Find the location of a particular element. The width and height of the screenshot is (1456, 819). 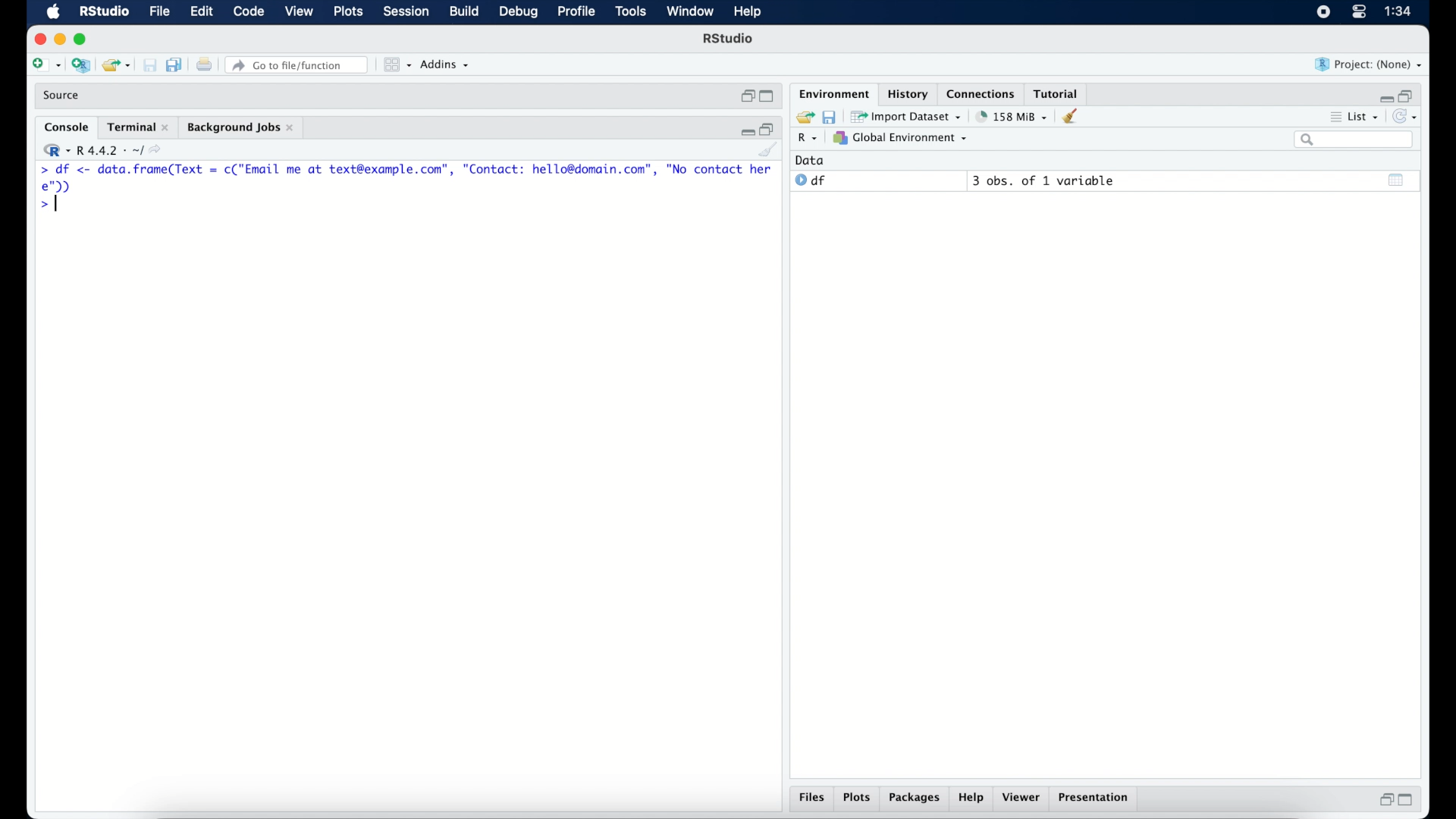

df is located at coordinates (811, 180).